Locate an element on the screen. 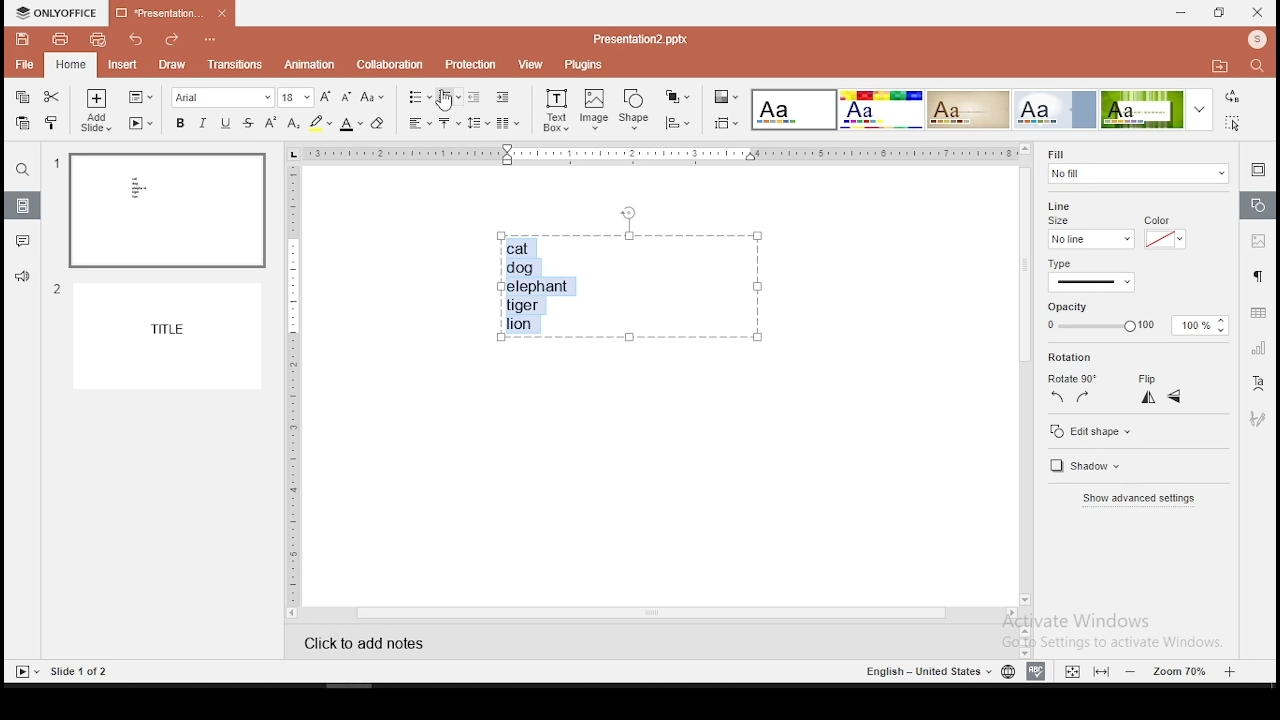  customize quick access toolbar is located at coordinates (216, 39).